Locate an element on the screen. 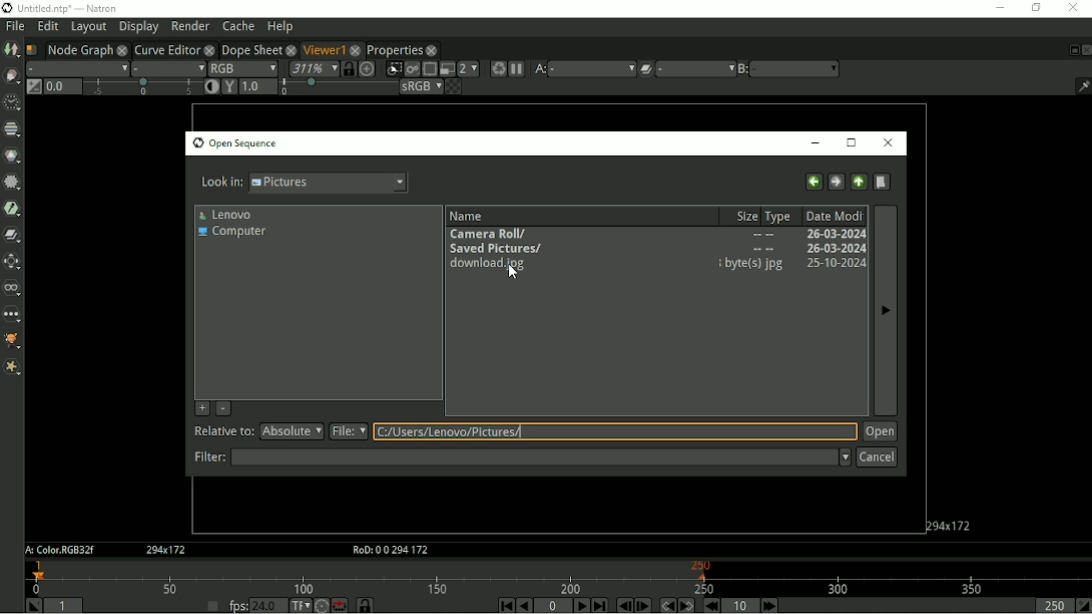 The image size is (1092, 614). Frame Increment is located at coordinates (738, 605).